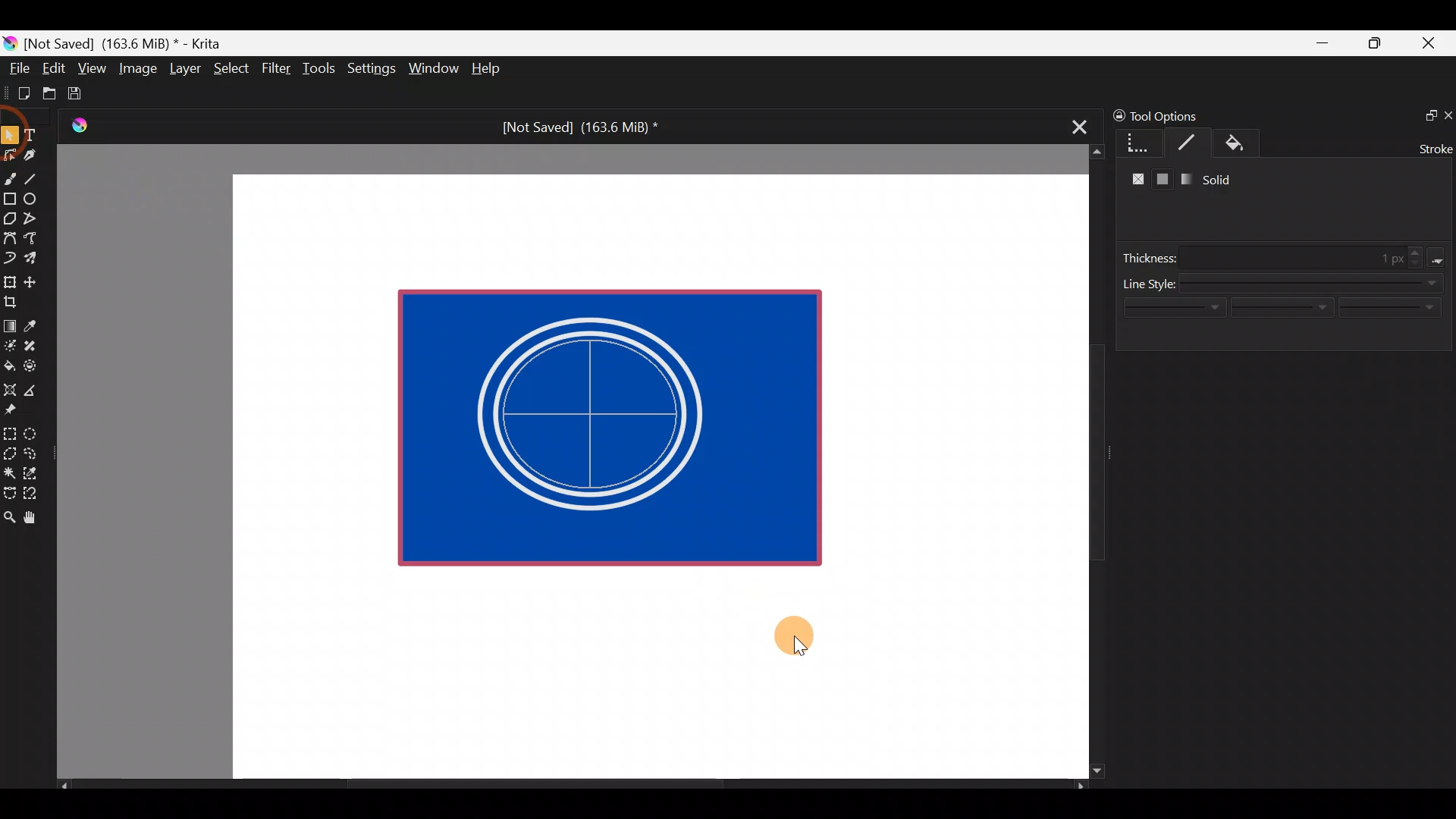 The image size is (1456, 819). What do you see at coordinates (35, 345) in the screenshot?
I see `Smart patch tool` at bounding box center [35, 345].